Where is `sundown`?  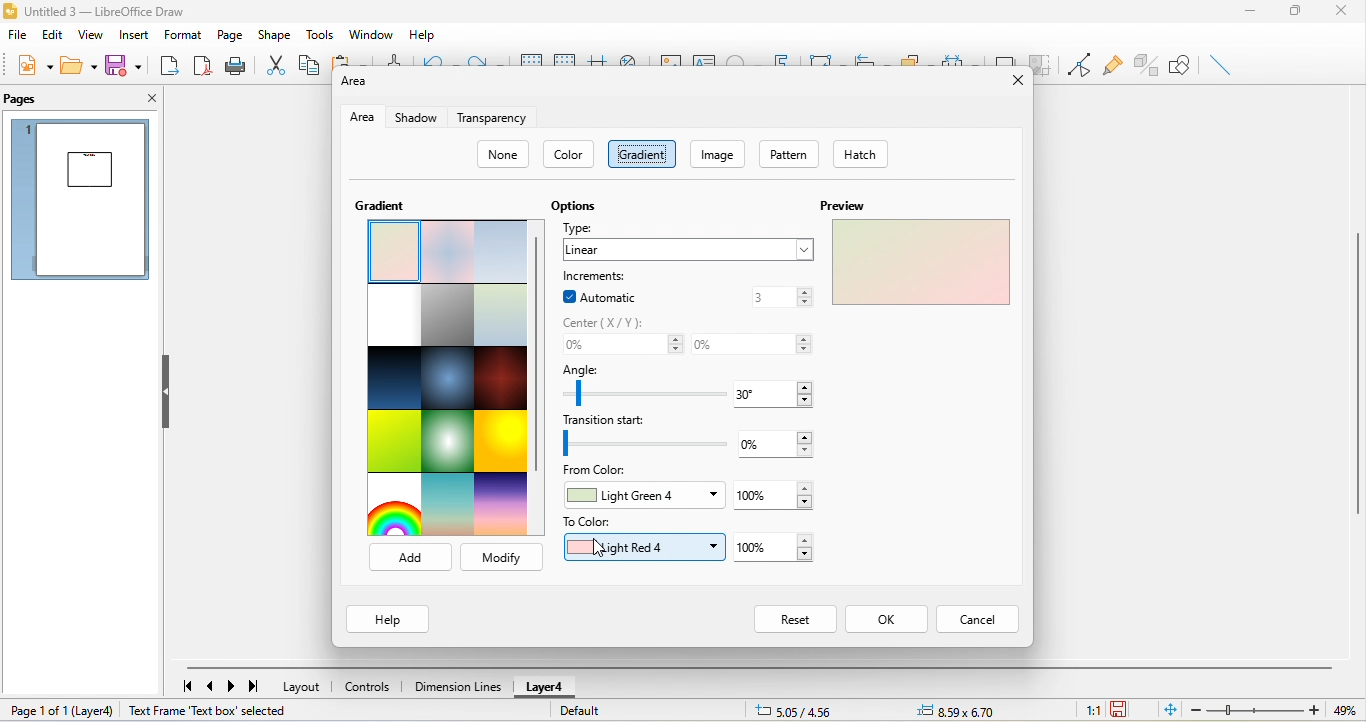
sundown is located at coordinates (503, 504).